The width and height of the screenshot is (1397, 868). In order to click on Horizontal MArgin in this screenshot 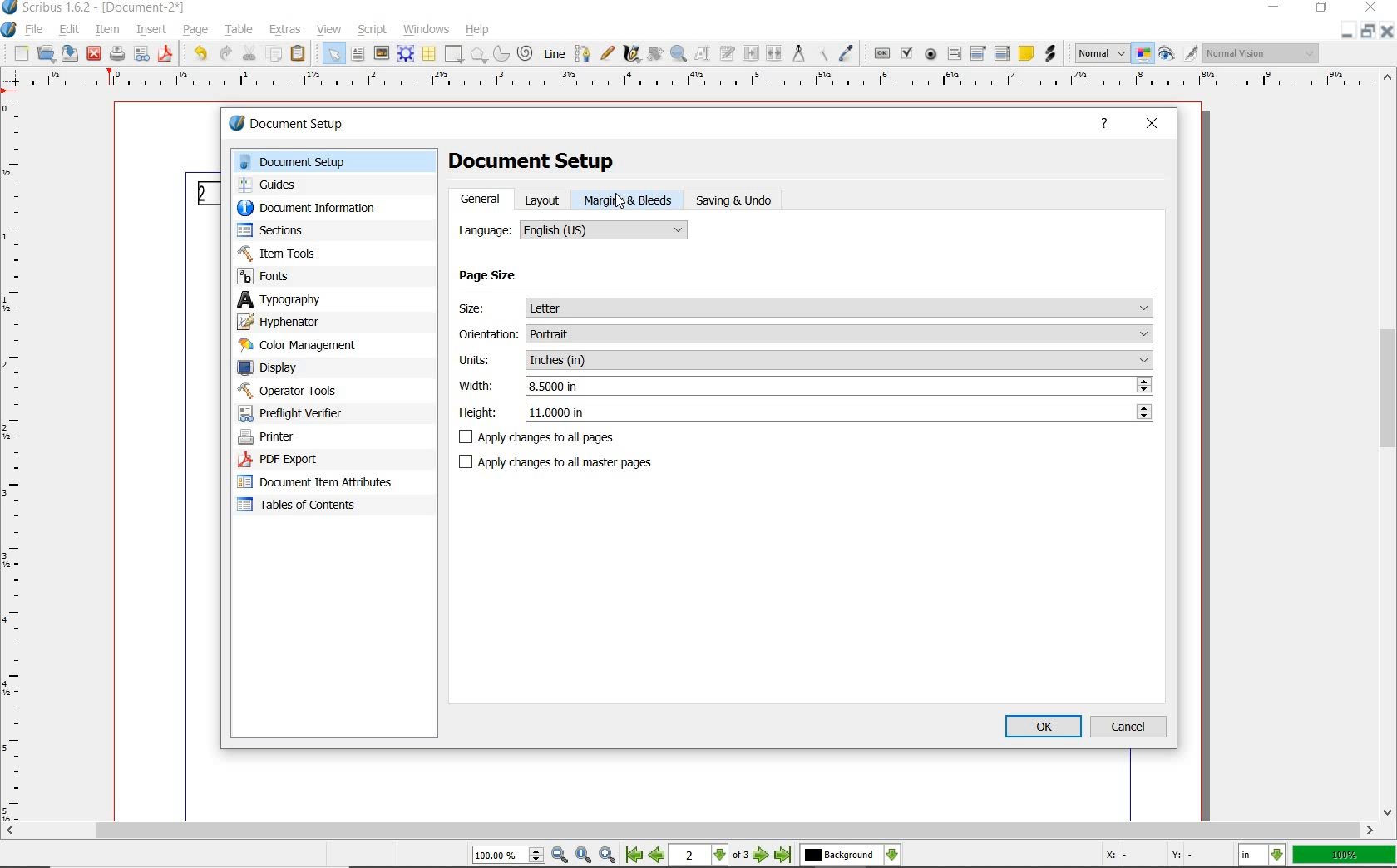, I will do `click(693, 82)`.